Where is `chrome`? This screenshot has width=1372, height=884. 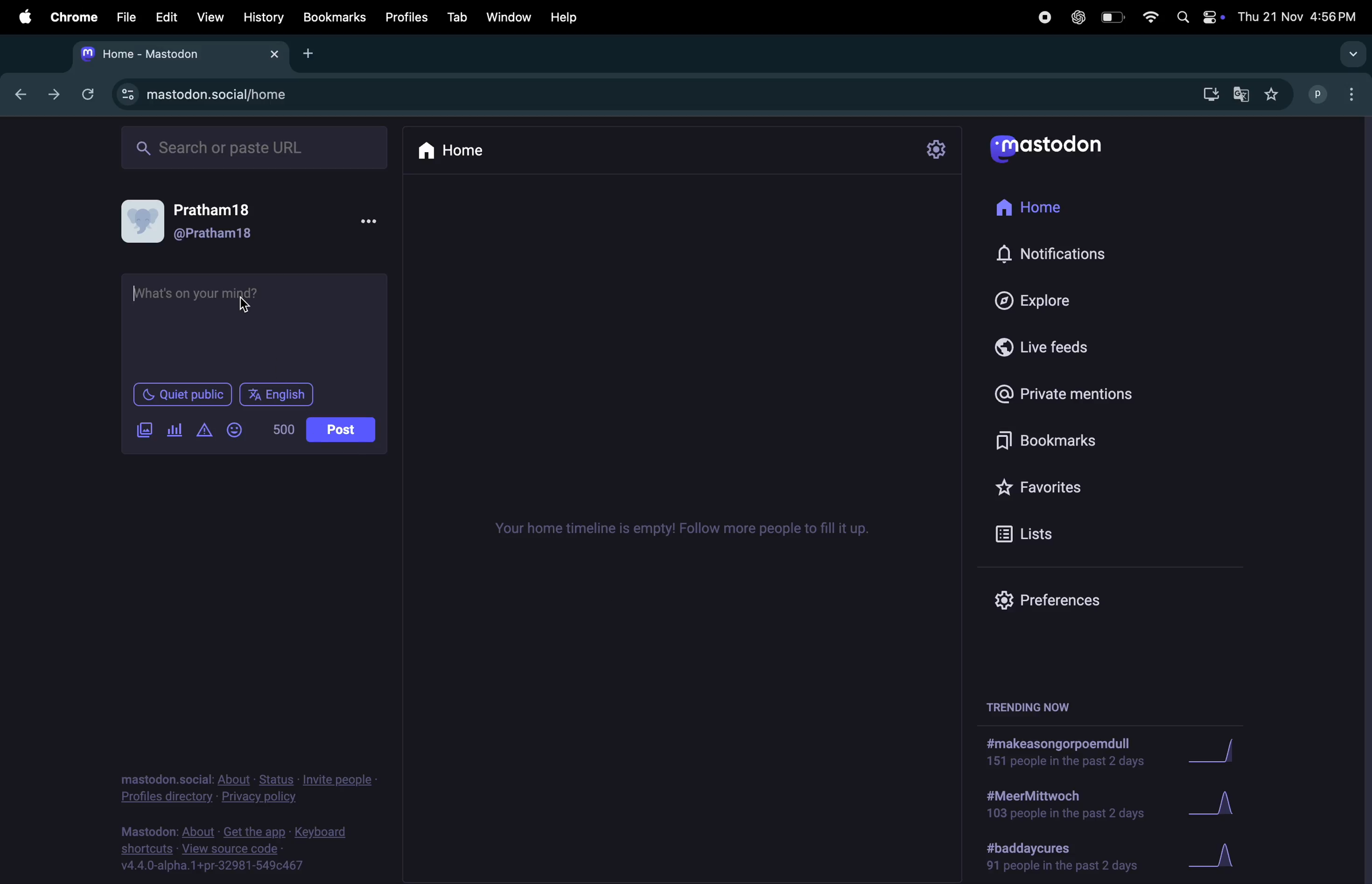 chrome is located at coordinates (70, 17).